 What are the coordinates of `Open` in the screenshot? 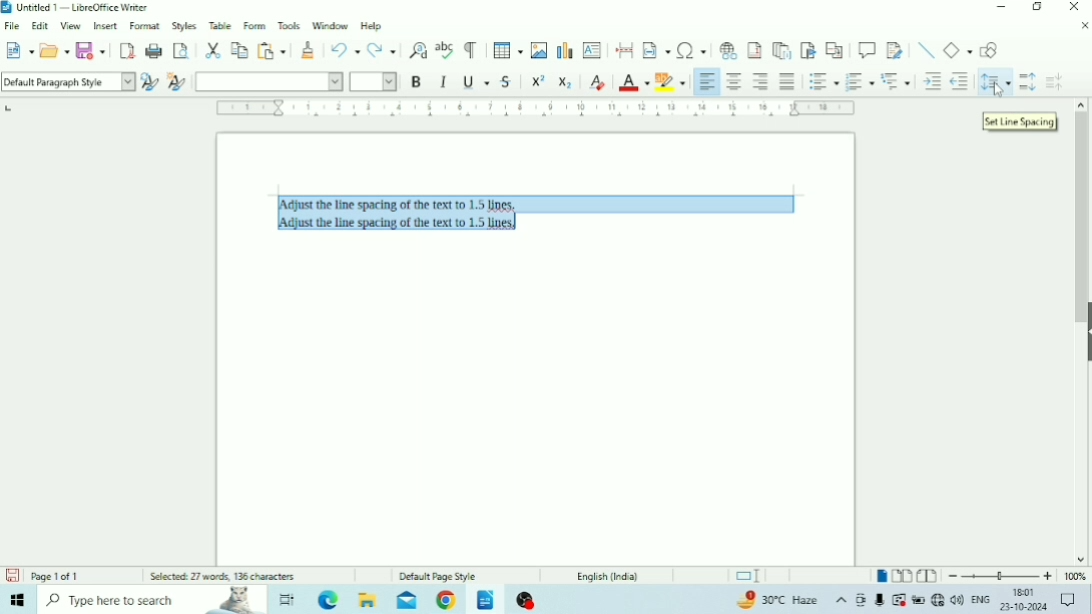 It's located at (55, 50).